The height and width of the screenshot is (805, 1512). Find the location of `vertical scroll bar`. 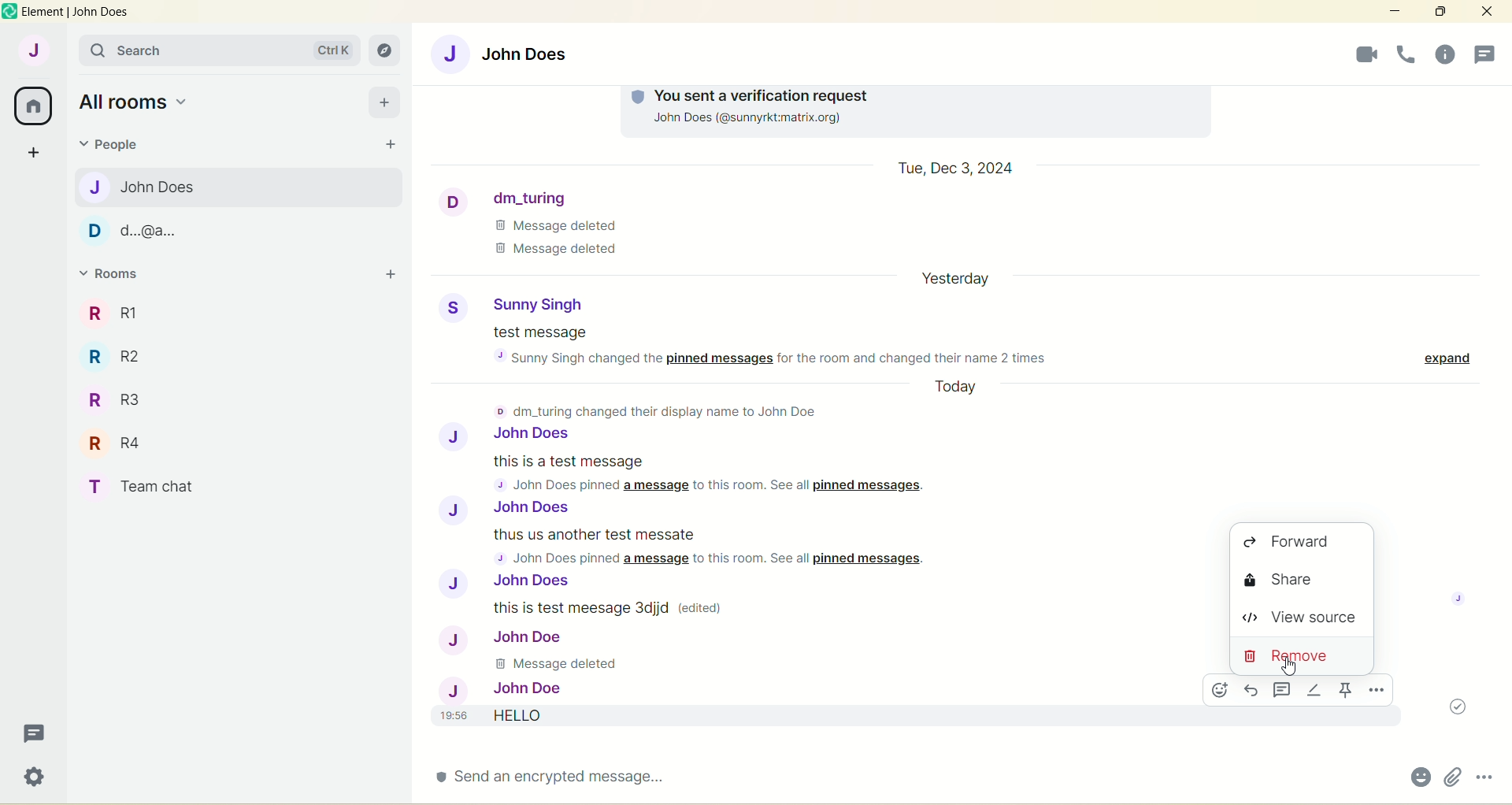

vertical scroll bar is located at coordinates (1503, 418).